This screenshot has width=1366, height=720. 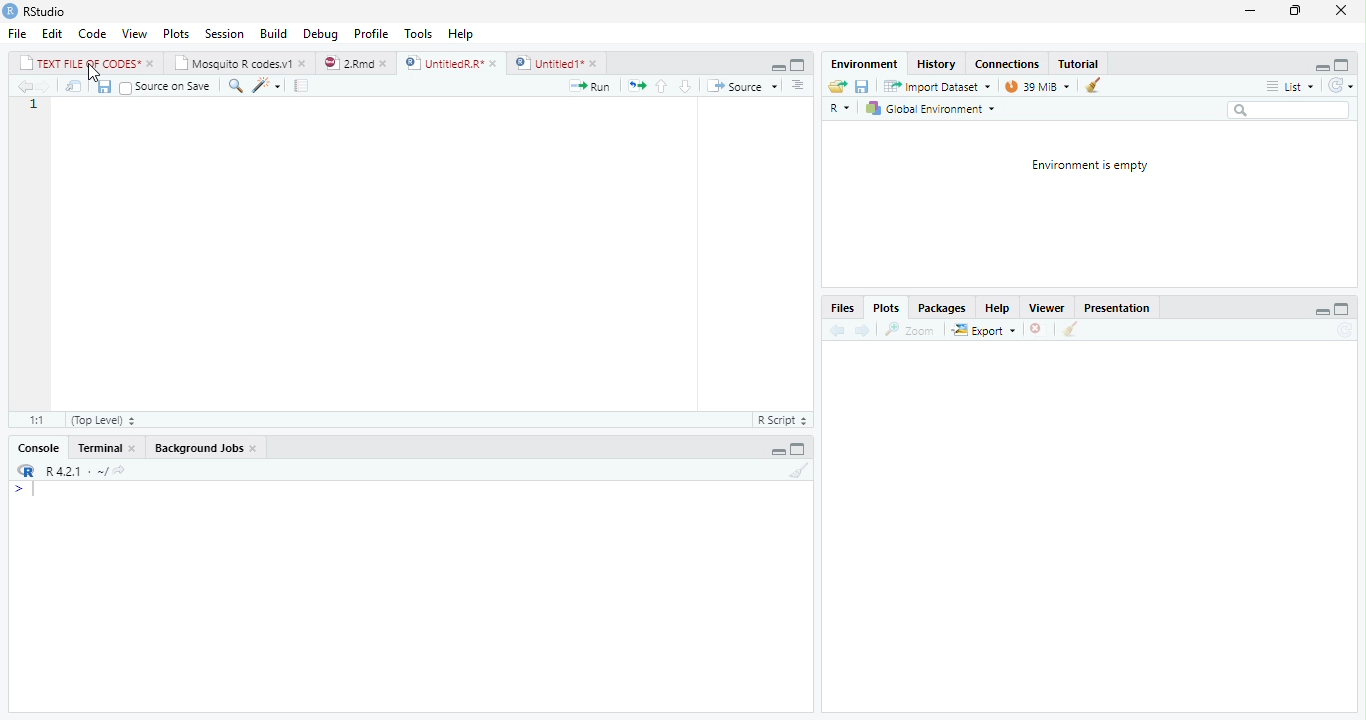 I want to click on 39MiB, so click(x=1037, y=84).